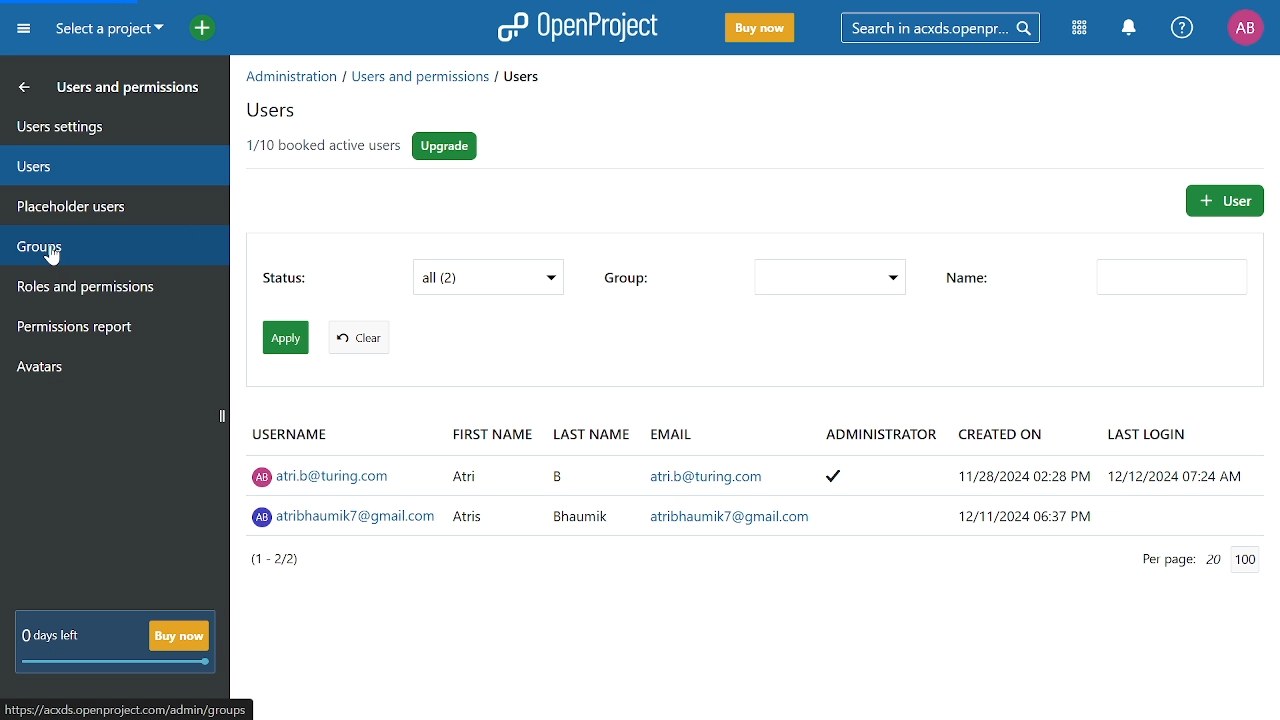 The height and width of the screenshot is (720, 1280). What do you see at coordinates (393, 77) in the screenshot?
I see `Path to current location "Administration/Users and permissions/Users"` at bounding box center [393, 77].